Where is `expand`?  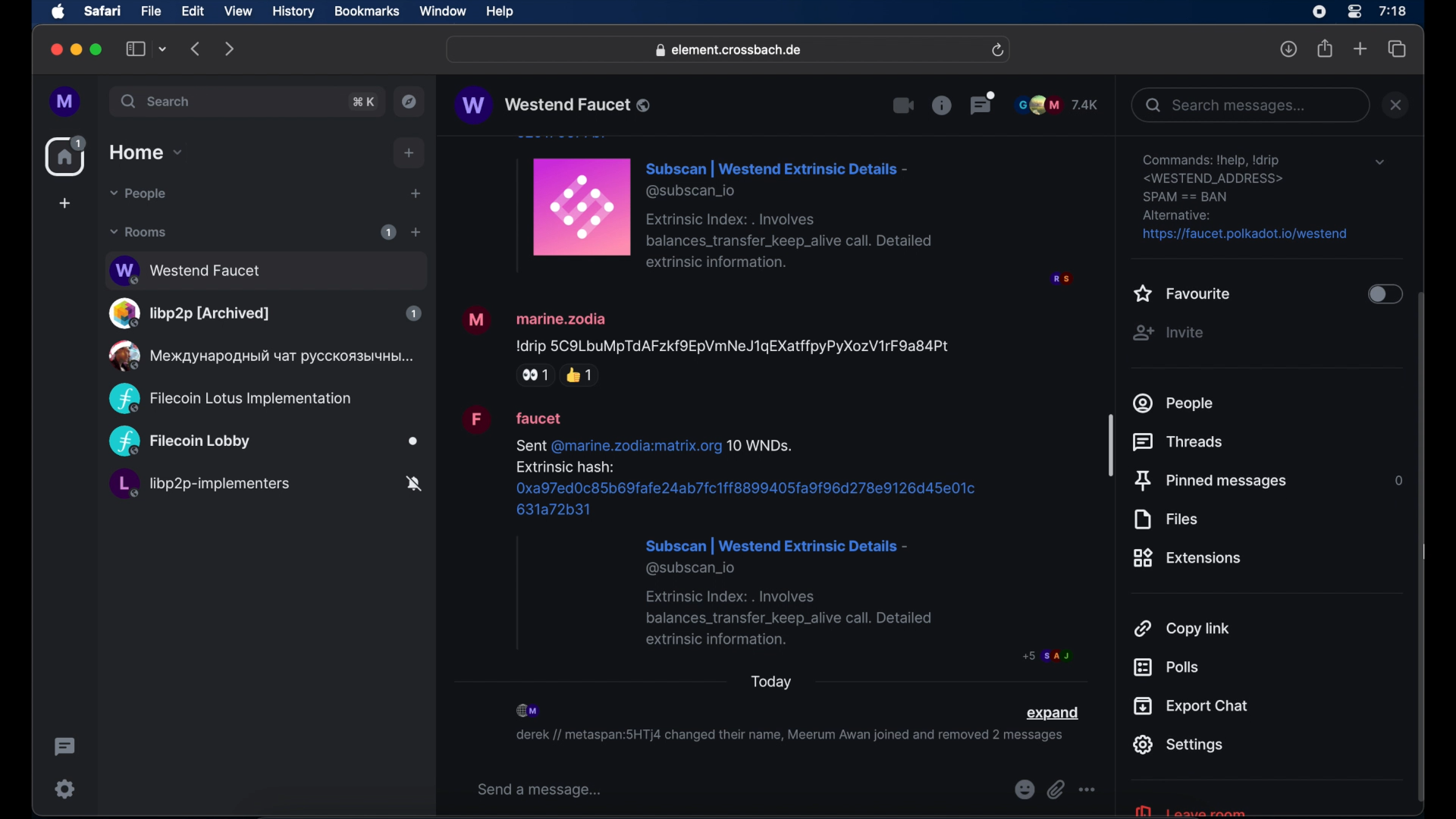
expand is located at coordinates (1052, 714).